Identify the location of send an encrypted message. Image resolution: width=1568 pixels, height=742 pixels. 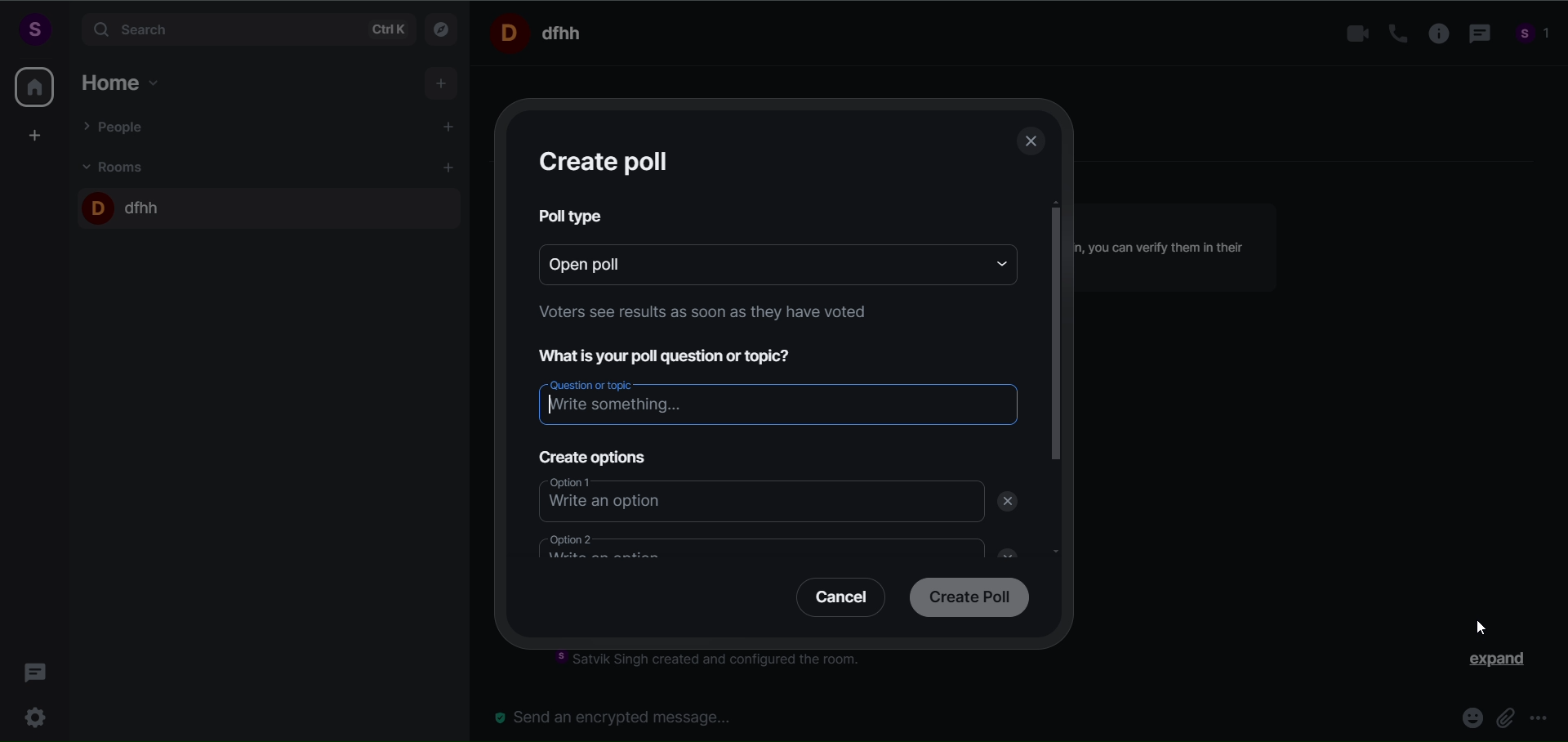
(621, 717).